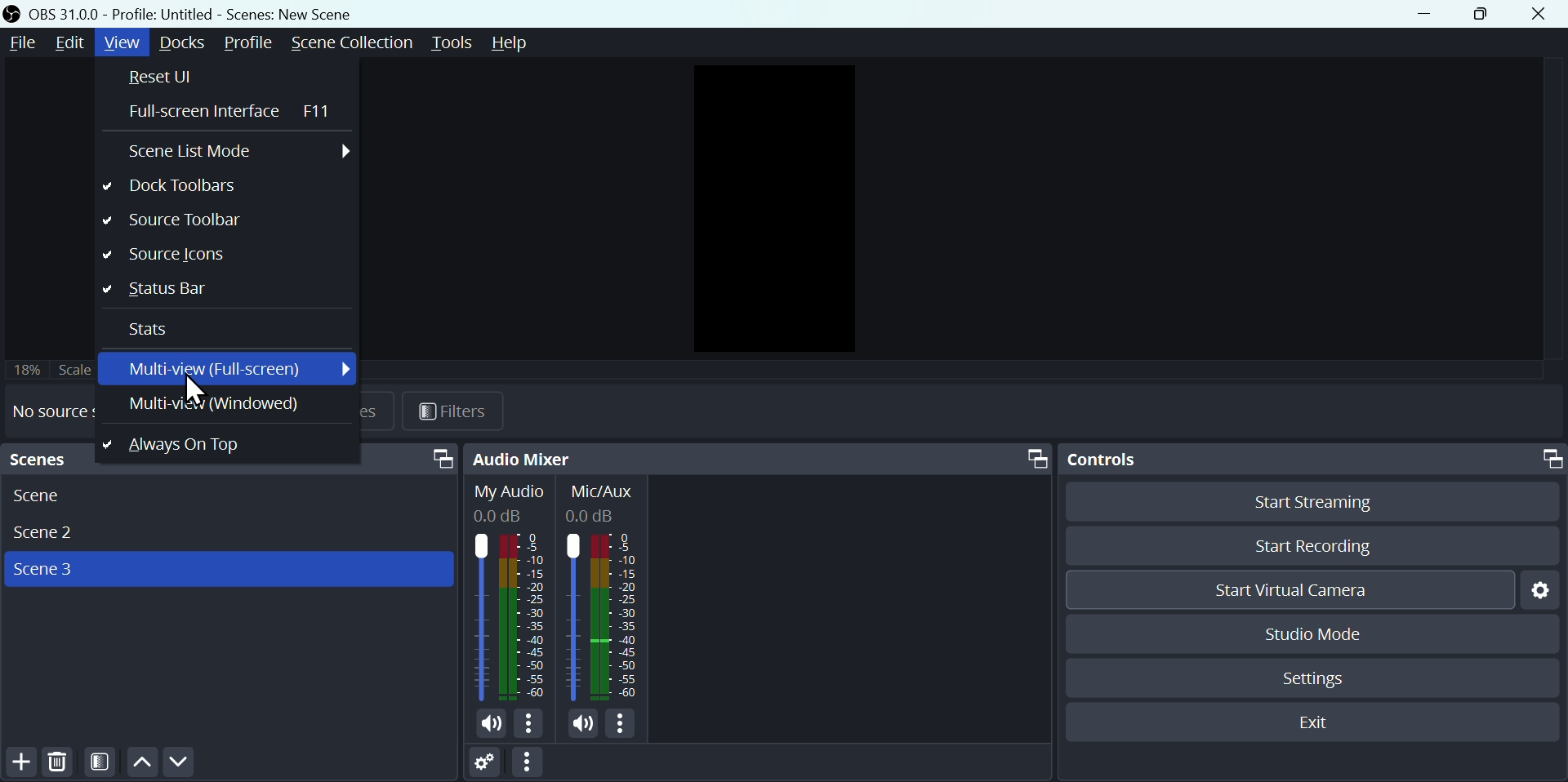 Image resolution: width=1568 pixels, height=782 pixels. Describe the element at coordinates (195, 390) in the screenshot. I see `Cursor` at that location.